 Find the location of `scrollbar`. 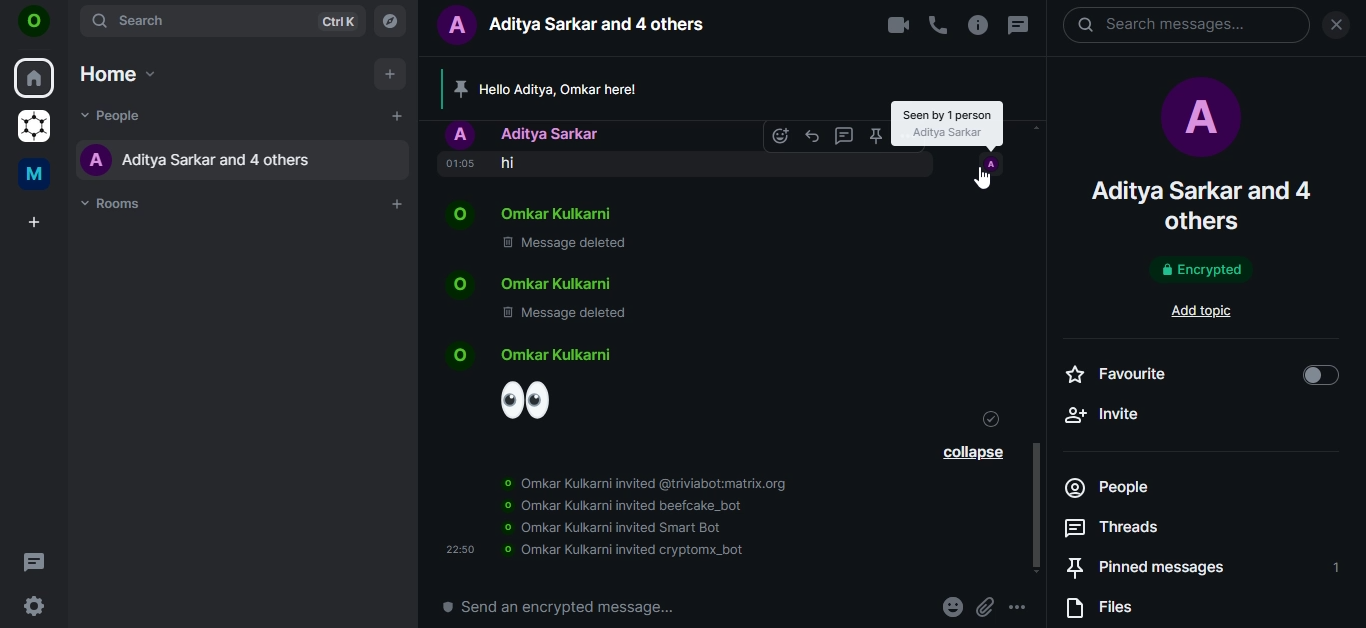

scrollbar is located at coordinates (1357, 224).